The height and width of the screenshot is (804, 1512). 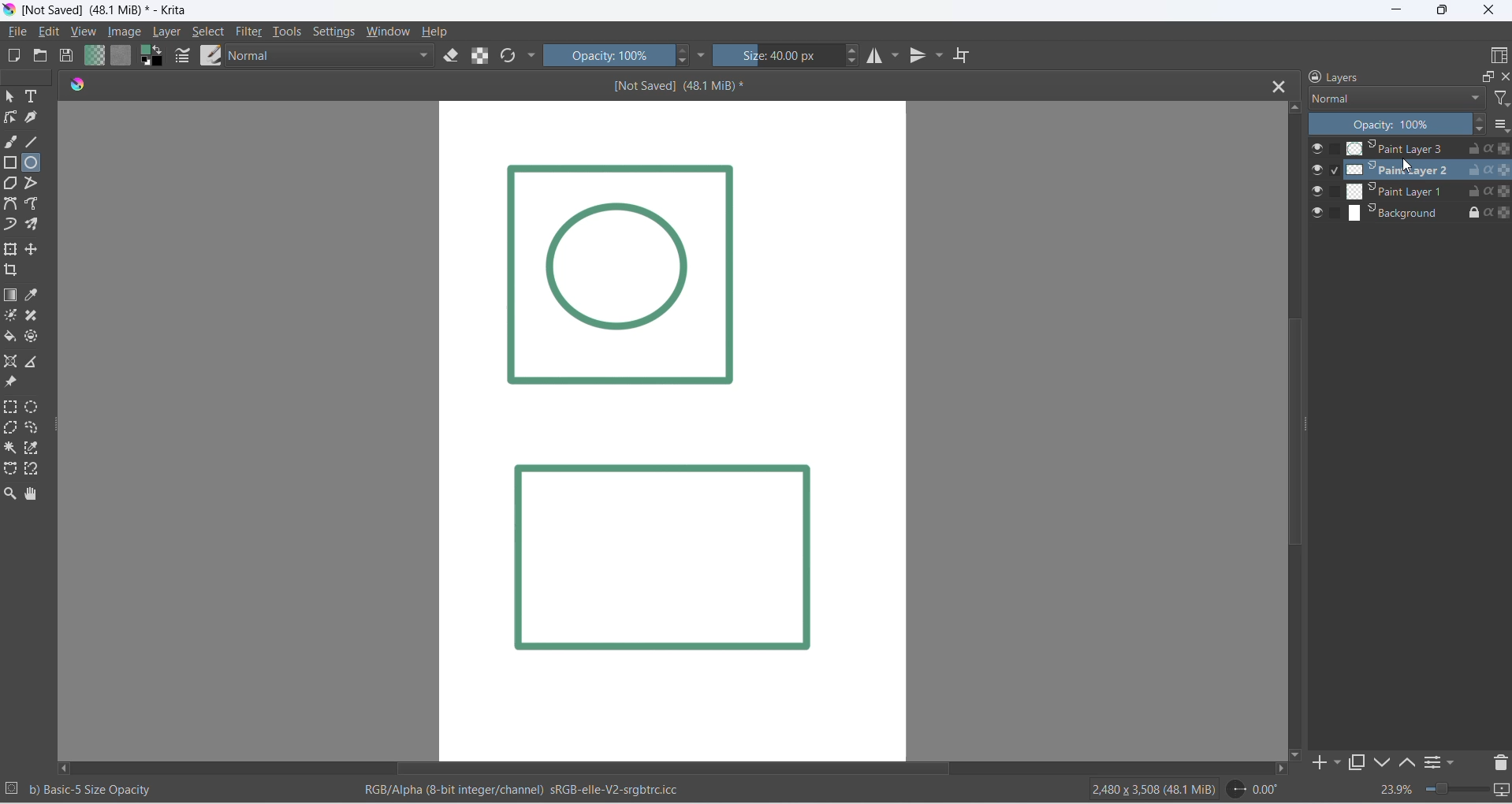 I want to click on color selection tool, so click(x=32, y=448).